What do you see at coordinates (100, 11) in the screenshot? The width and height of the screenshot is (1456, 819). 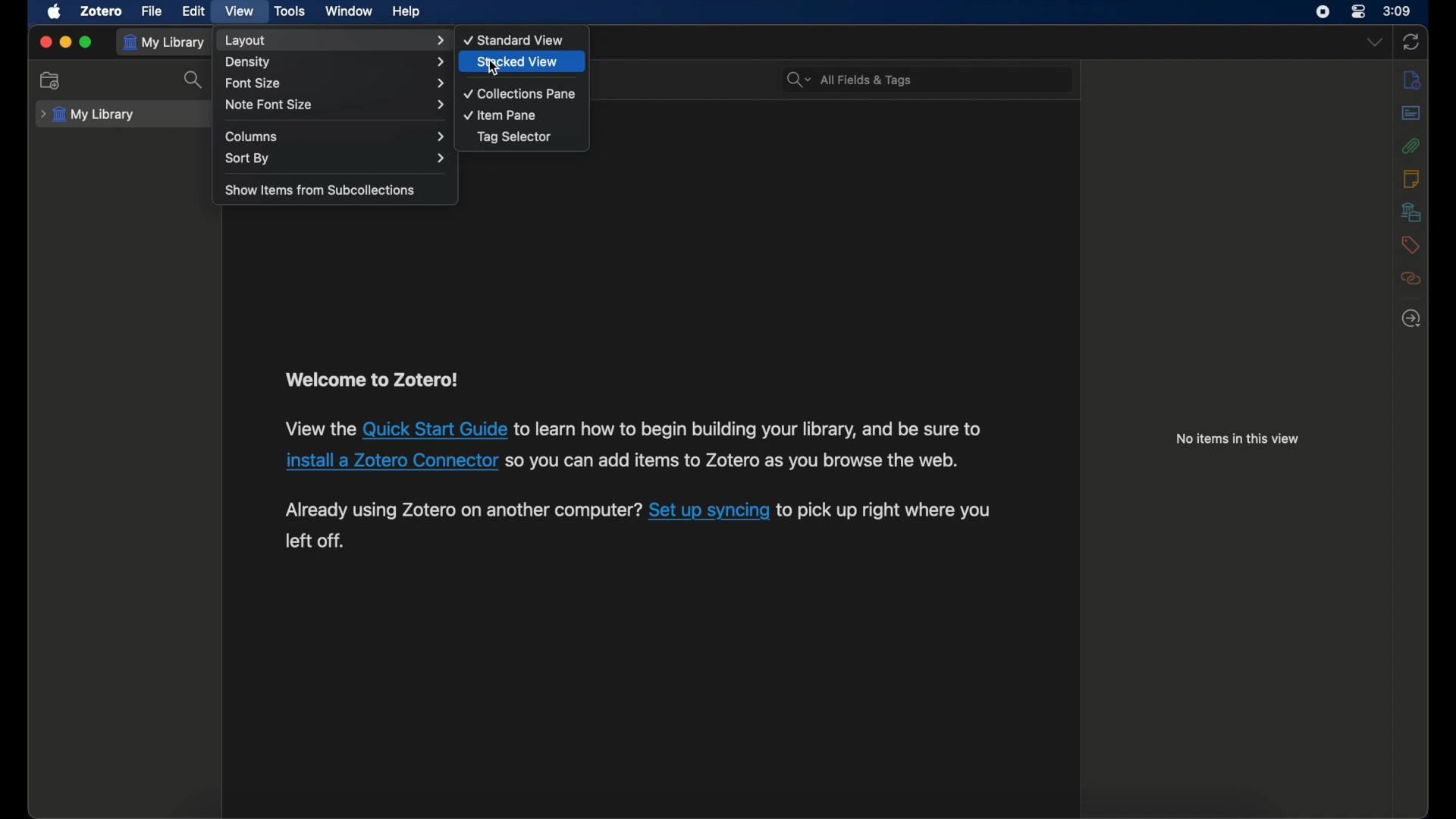 I see `zotero` at bounding box center [100, 11].